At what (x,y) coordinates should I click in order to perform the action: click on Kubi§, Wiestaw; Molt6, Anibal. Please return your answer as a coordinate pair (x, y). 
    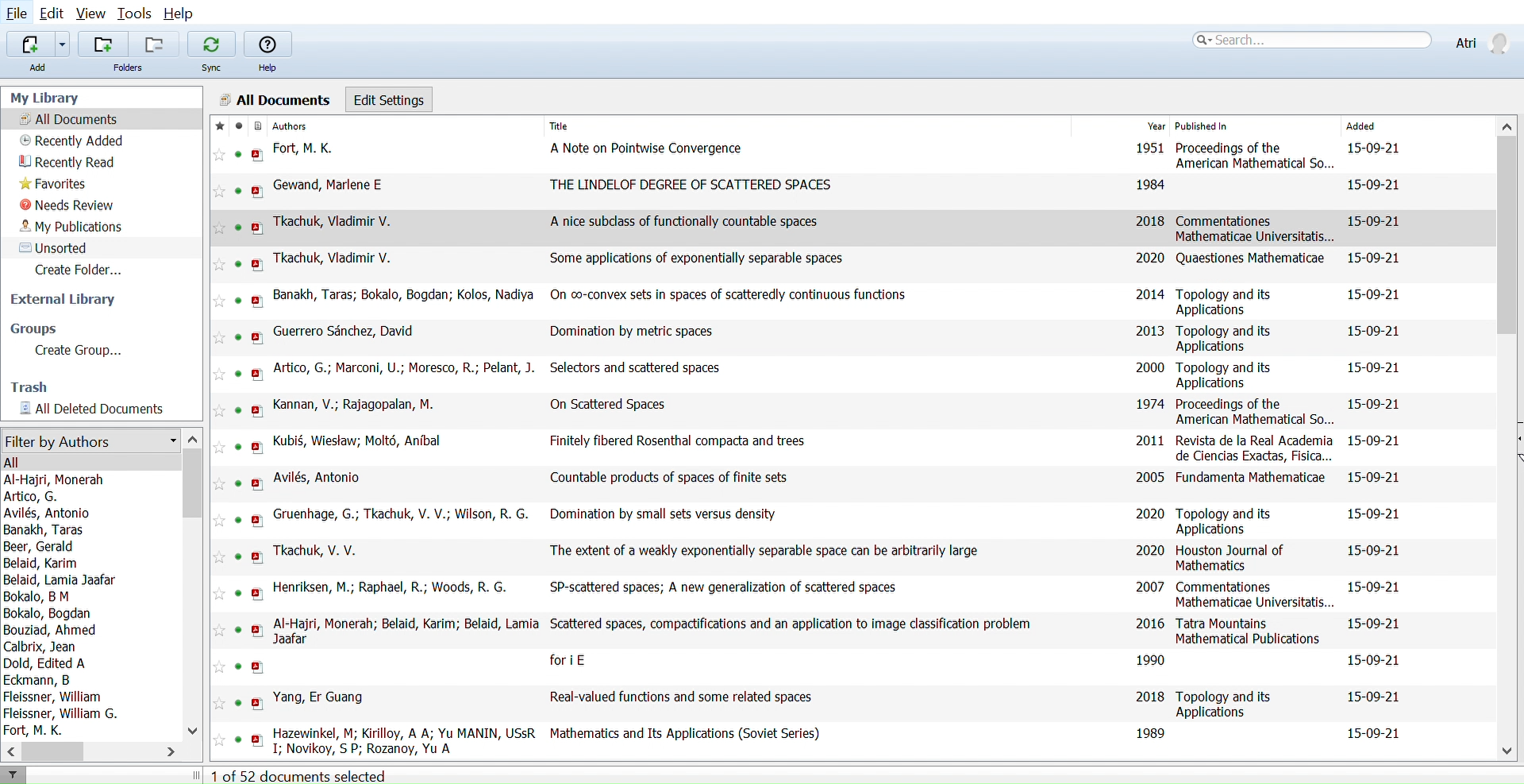
    Looking at the image, I should click on (359, 442).